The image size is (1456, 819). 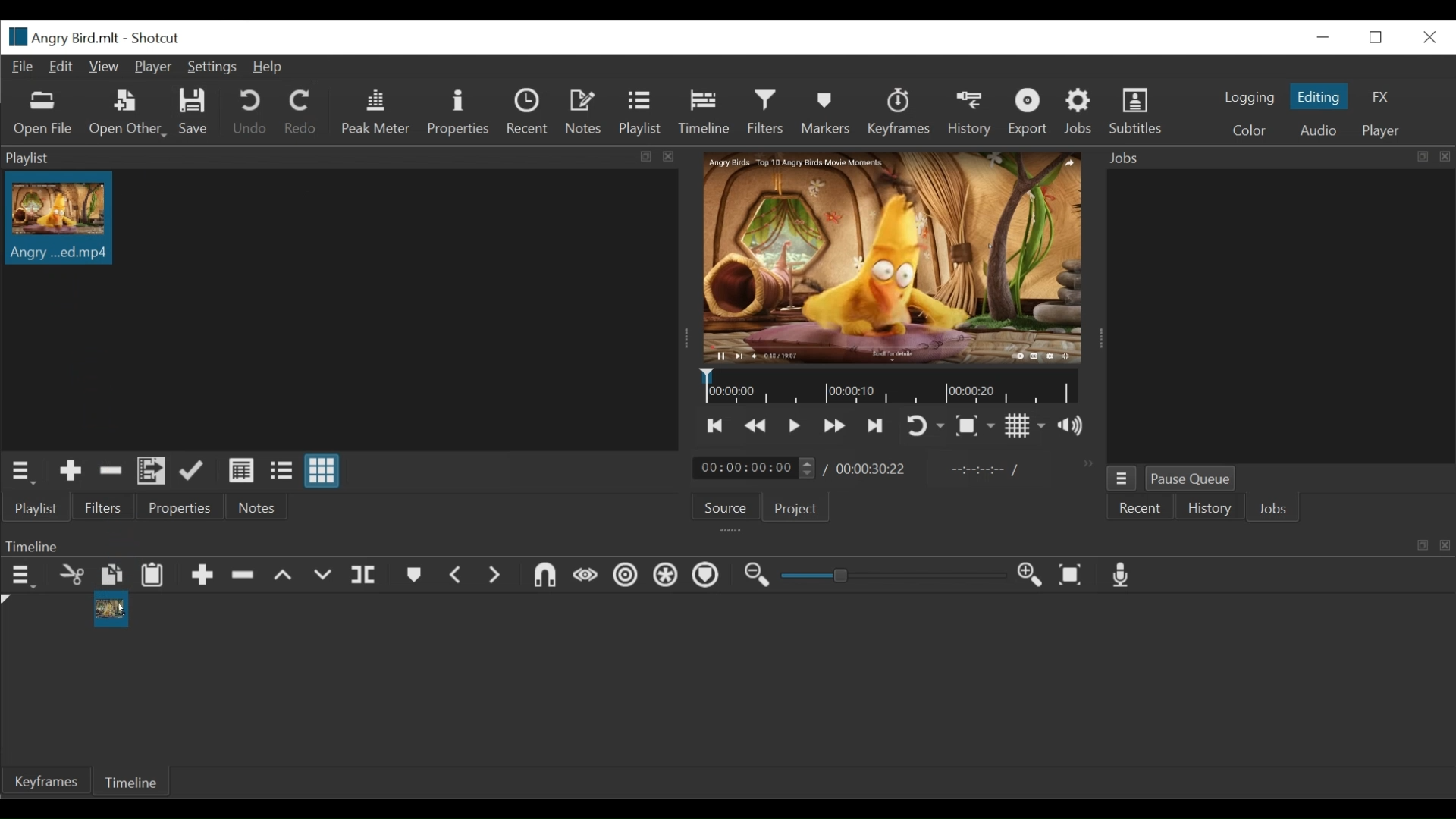 I want to click on Shotcut, so click(x=158, y=38).